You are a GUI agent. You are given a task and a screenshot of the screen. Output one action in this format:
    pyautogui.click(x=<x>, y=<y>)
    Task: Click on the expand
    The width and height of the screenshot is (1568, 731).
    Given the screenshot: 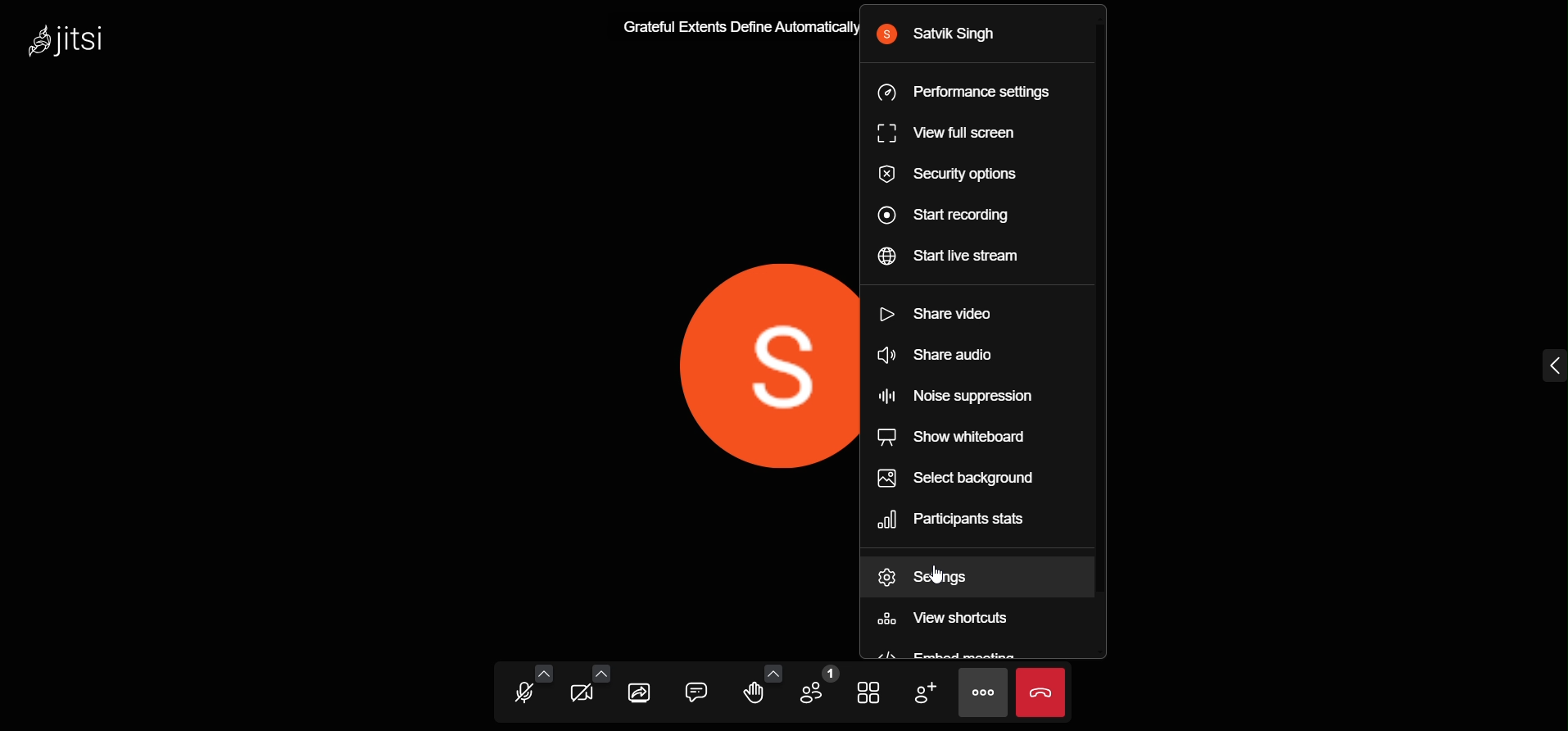 What is the action you would take?
    pyautogui.click(x=1547, y=363)
    